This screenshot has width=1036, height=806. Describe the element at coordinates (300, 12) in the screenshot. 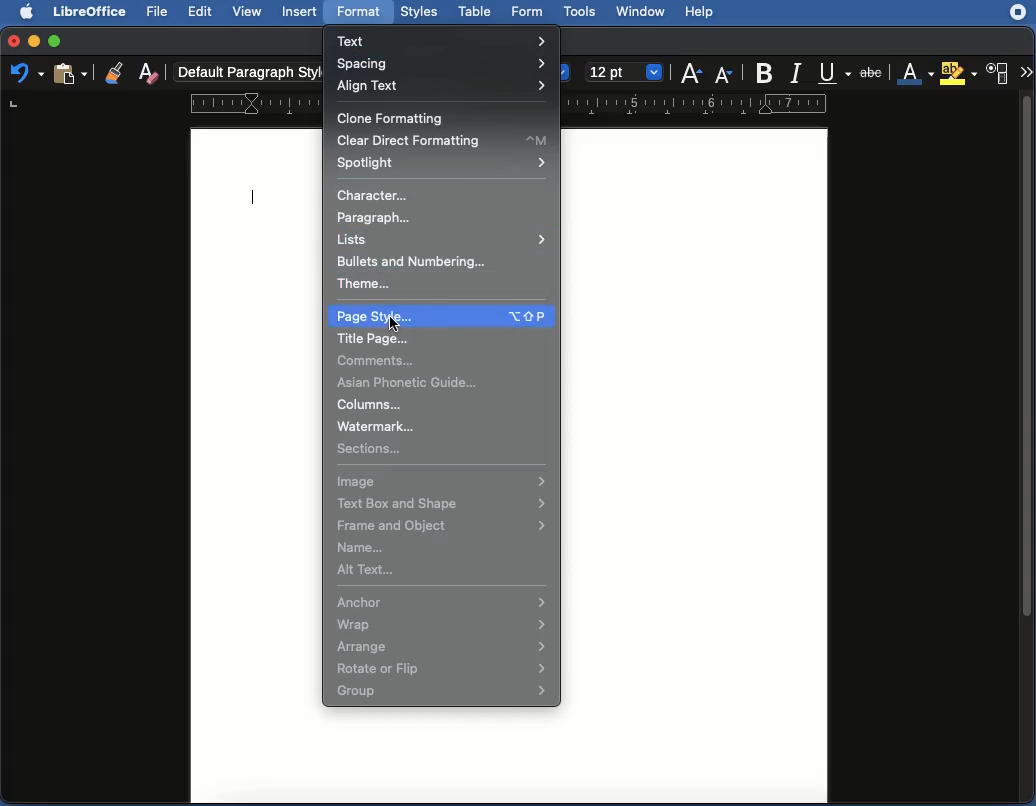

I see `Insert` at that location.